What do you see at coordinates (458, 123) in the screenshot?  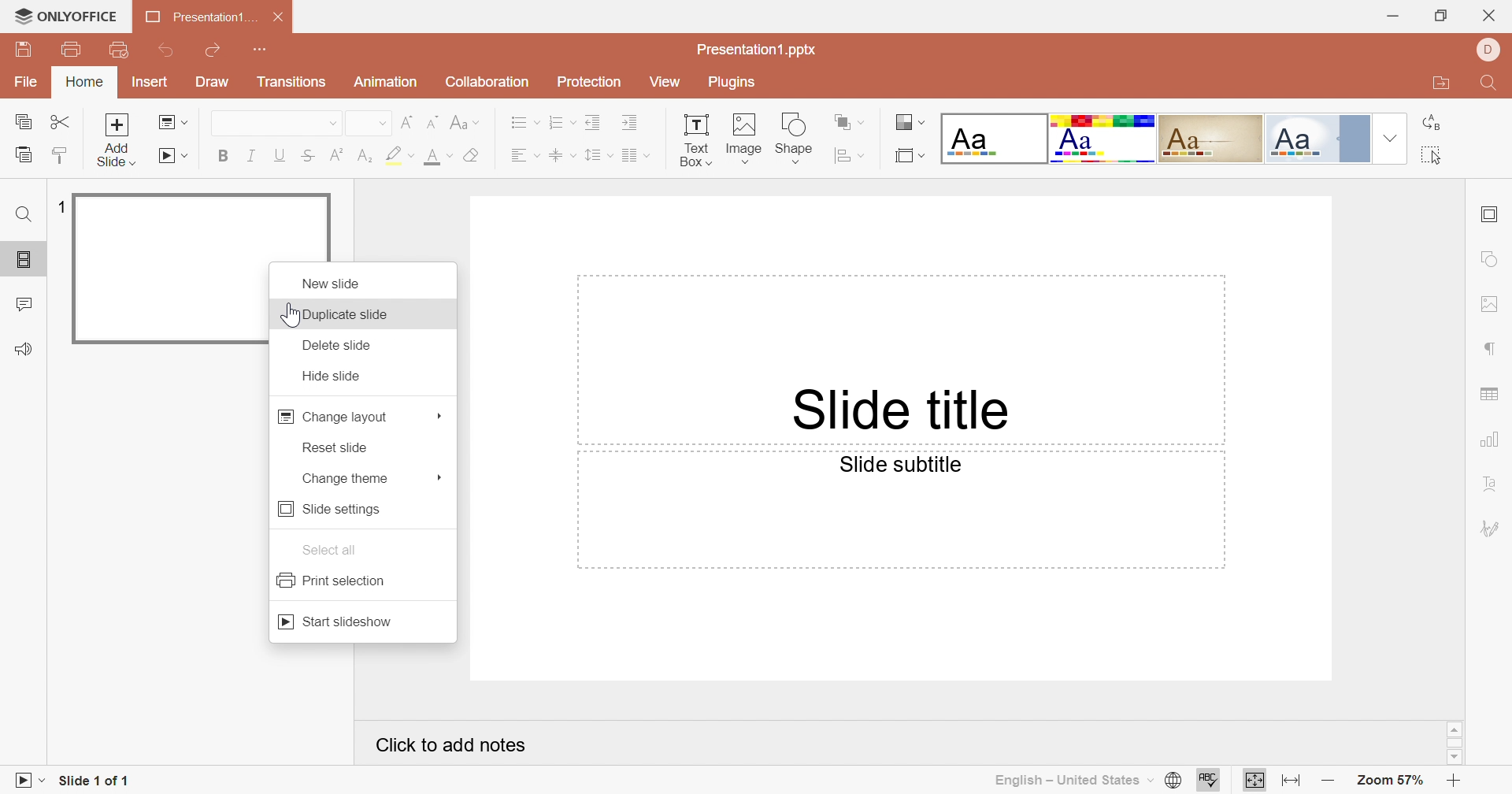 I see `Change case` at bounding box center [458, 123].